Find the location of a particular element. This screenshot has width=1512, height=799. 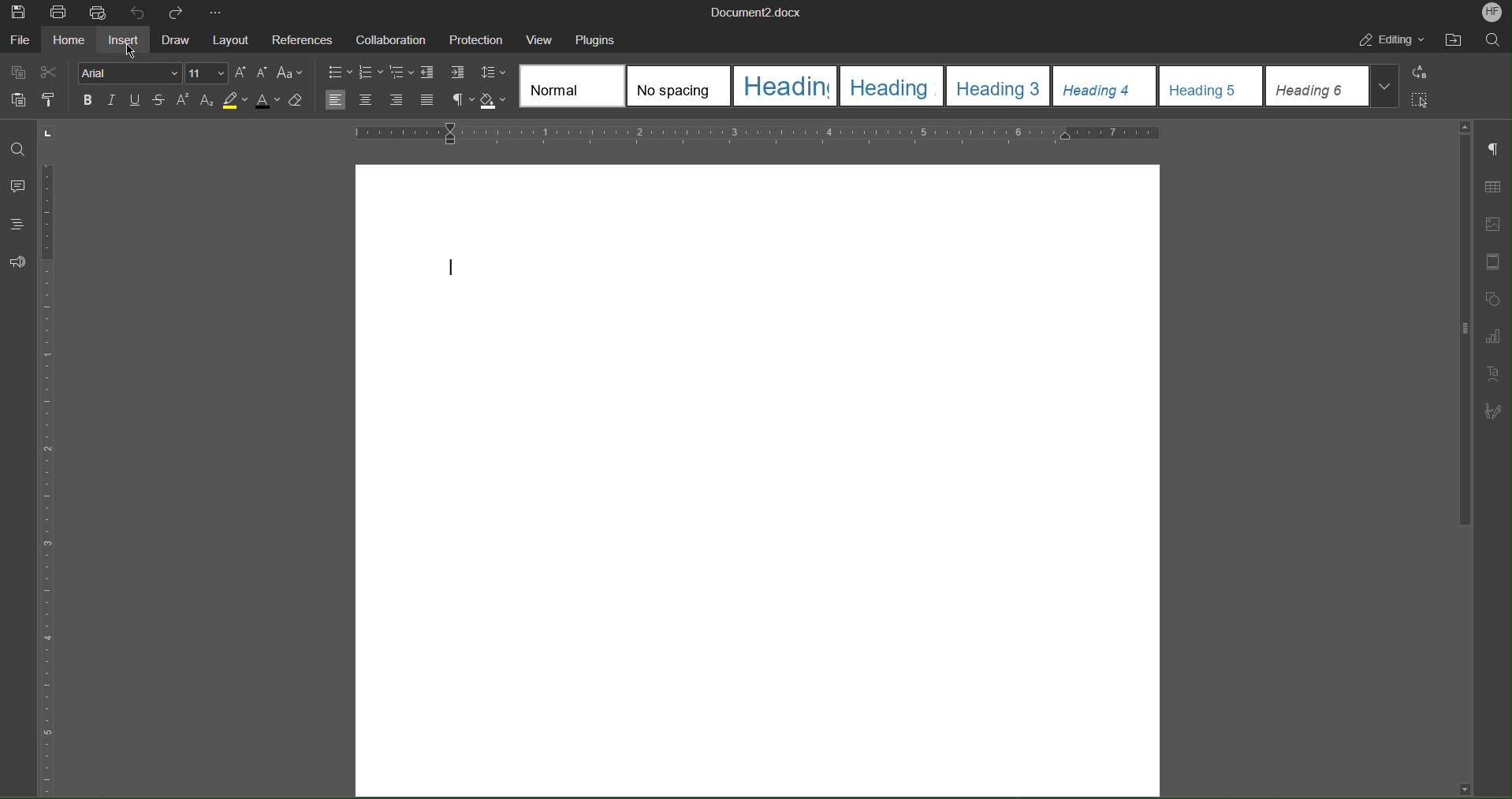

Feedback and Support is located at coordinates (17, 262).